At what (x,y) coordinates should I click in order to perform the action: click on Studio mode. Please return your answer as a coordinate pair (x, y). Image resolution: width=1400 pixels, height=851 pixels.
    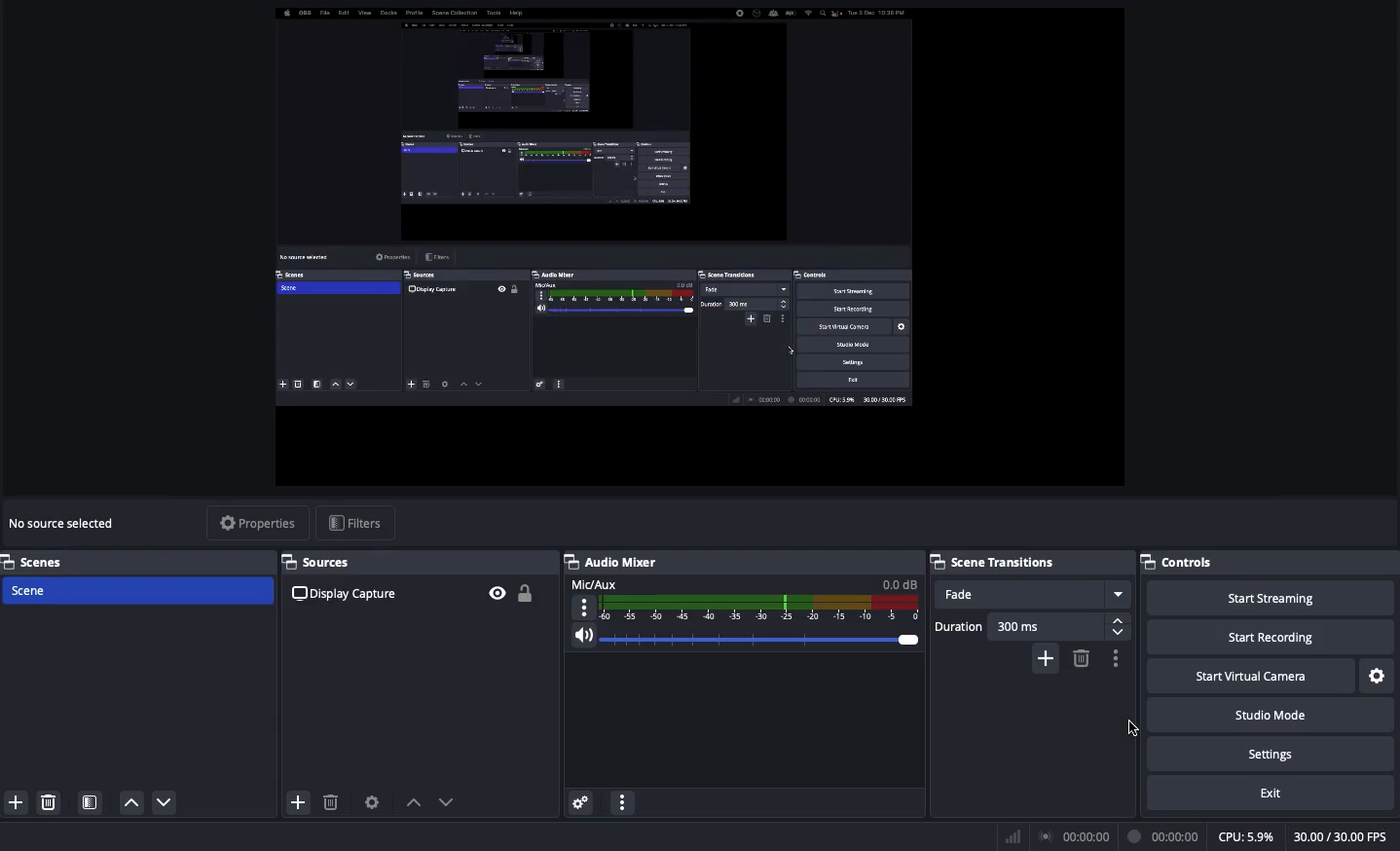
    Looking at the image, I should click on (1291, 716).